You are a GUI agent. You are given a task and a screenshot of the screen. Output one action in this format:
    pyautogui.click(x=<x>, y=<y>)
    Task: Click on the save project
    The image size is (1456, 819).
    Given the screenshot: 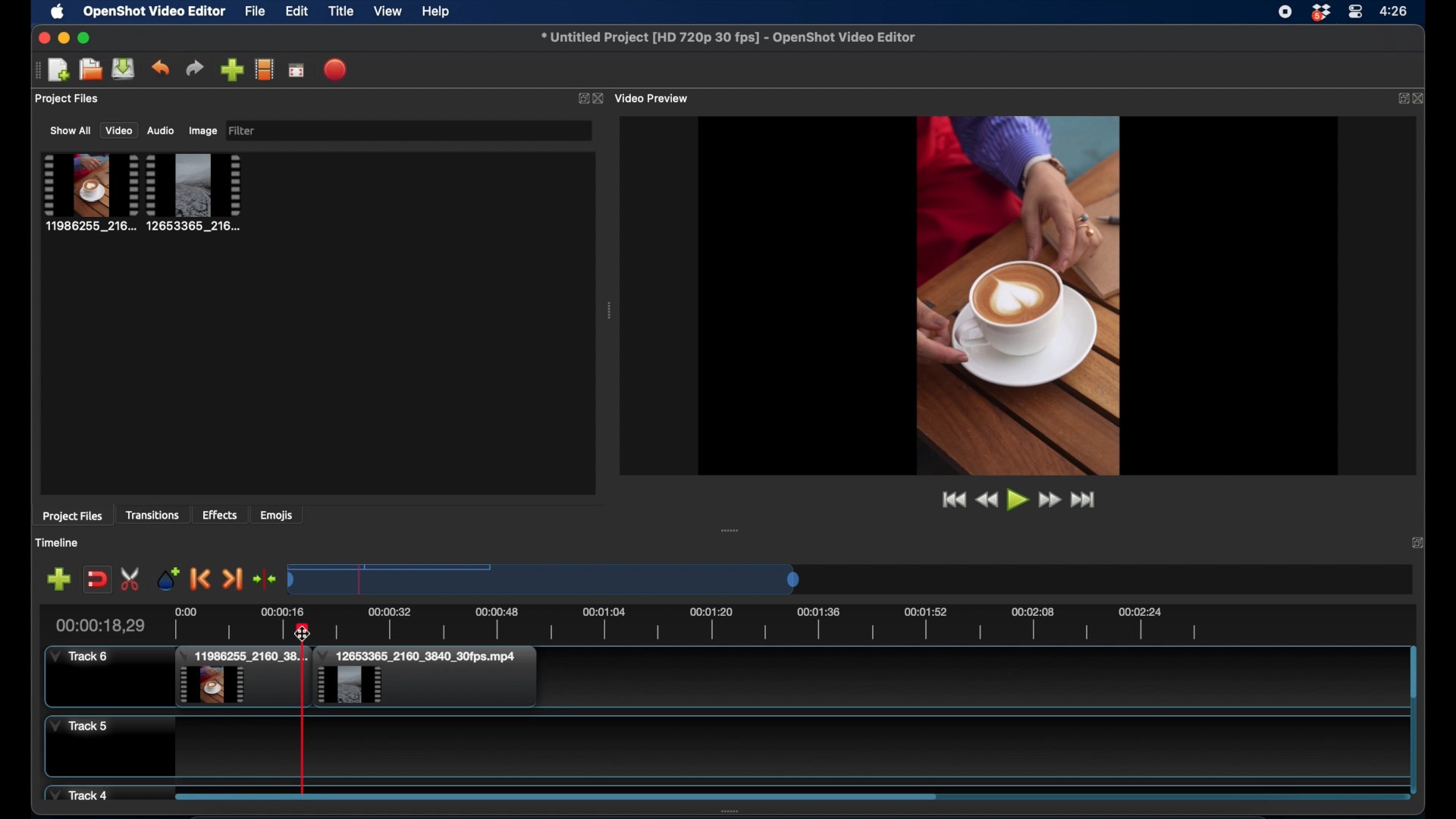 What is the action you would take?
    pyautogui.click(x=124, y=69)
    